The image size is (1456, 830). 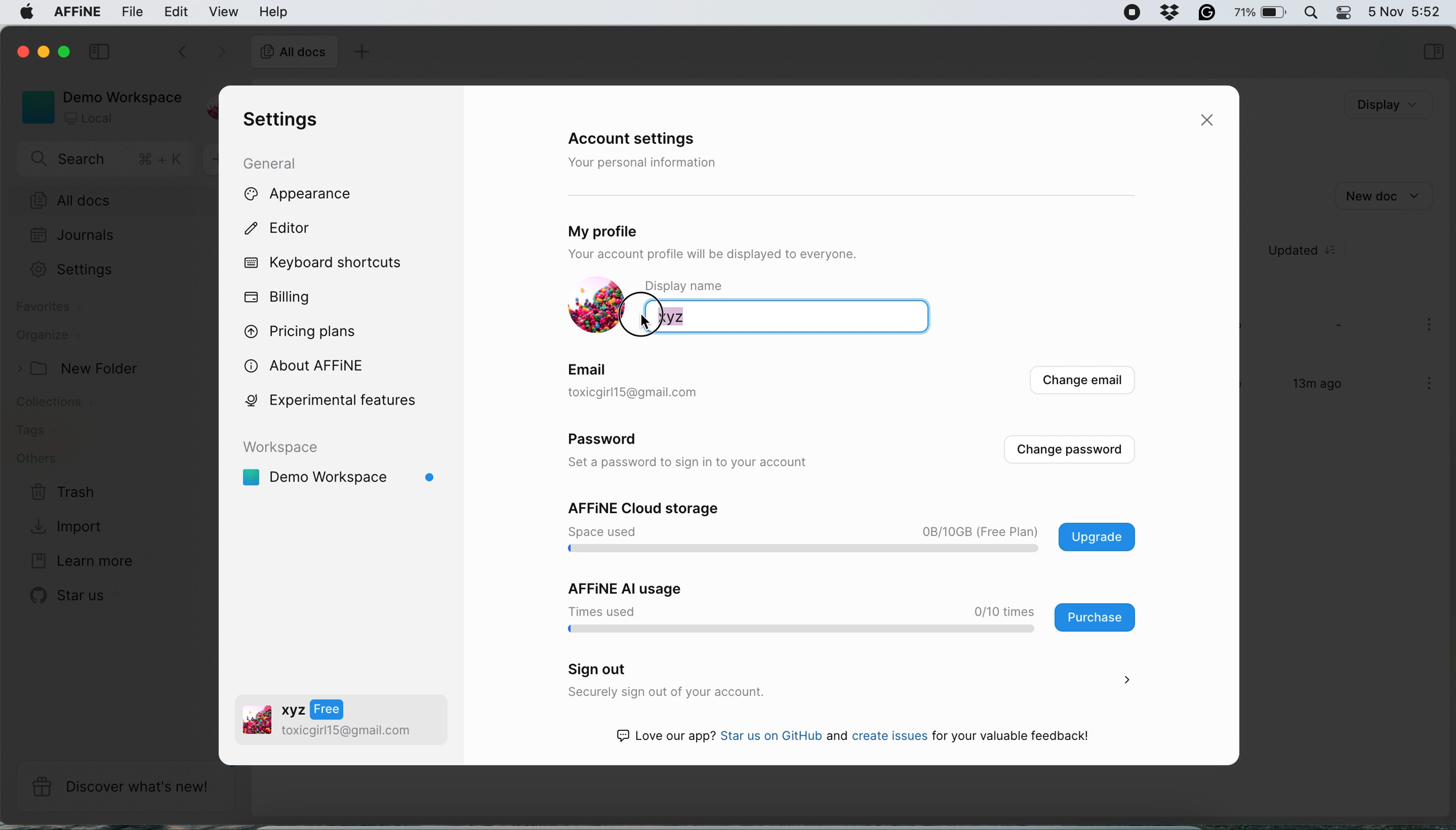 I want to click on change email, so click(x=1080, y=383).